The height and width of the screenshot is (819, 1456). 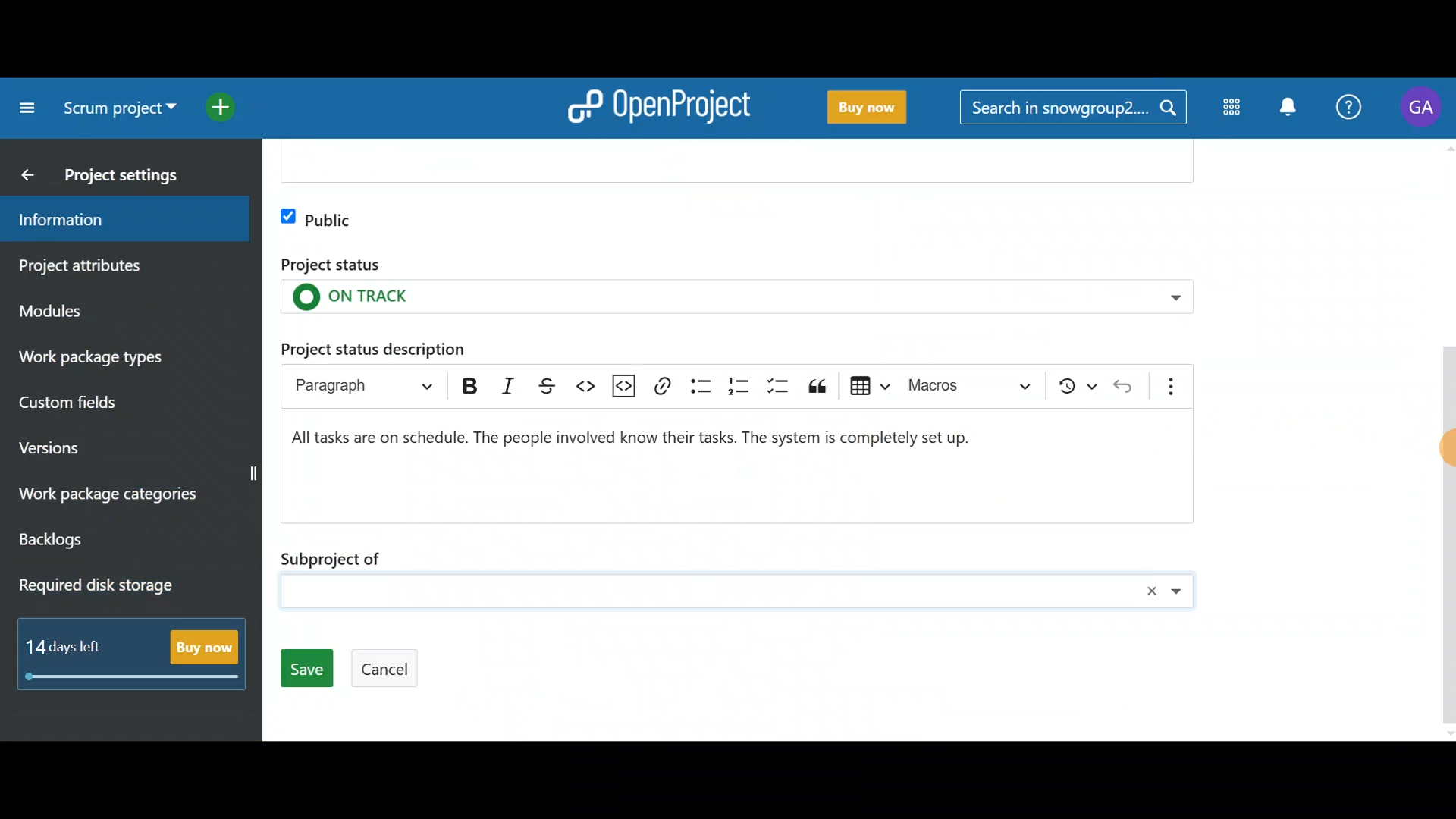 What do you see at coordinates (977, 388) in the screenshot?
I see `Choose macro` at bounding box center [977, 388].